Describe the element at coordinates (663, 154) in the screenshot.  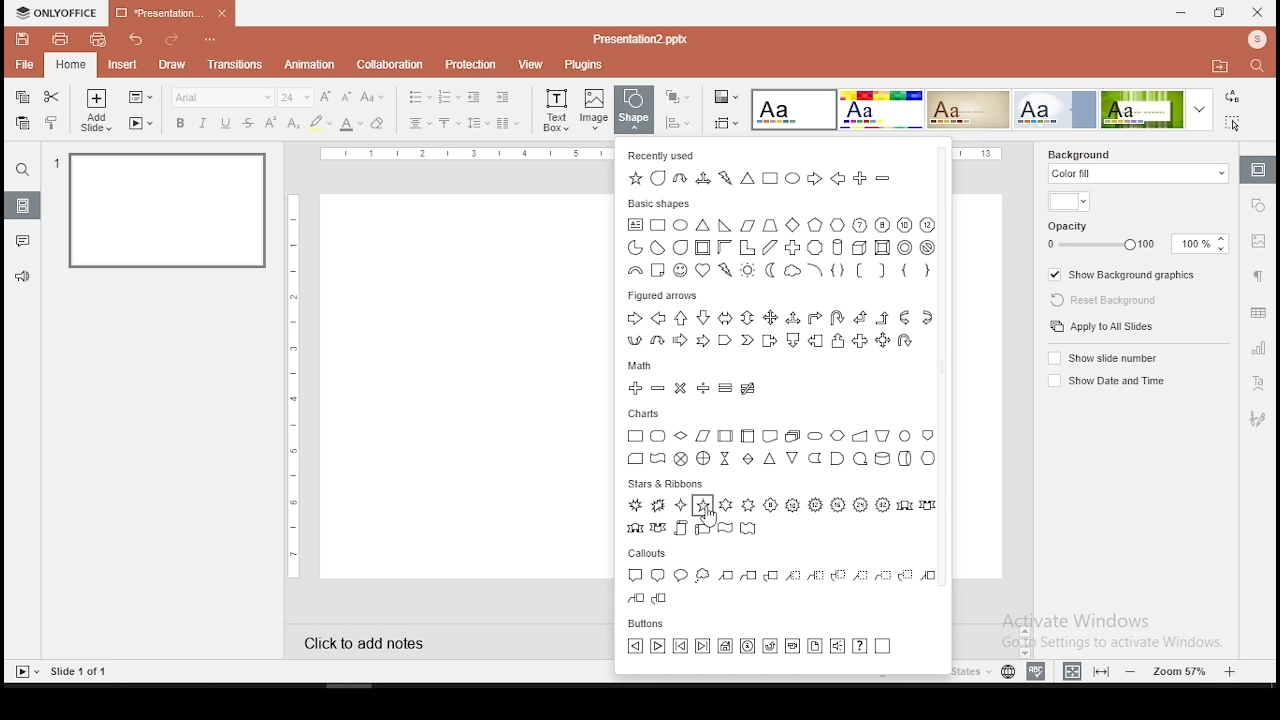
I see `recently used` at that location.